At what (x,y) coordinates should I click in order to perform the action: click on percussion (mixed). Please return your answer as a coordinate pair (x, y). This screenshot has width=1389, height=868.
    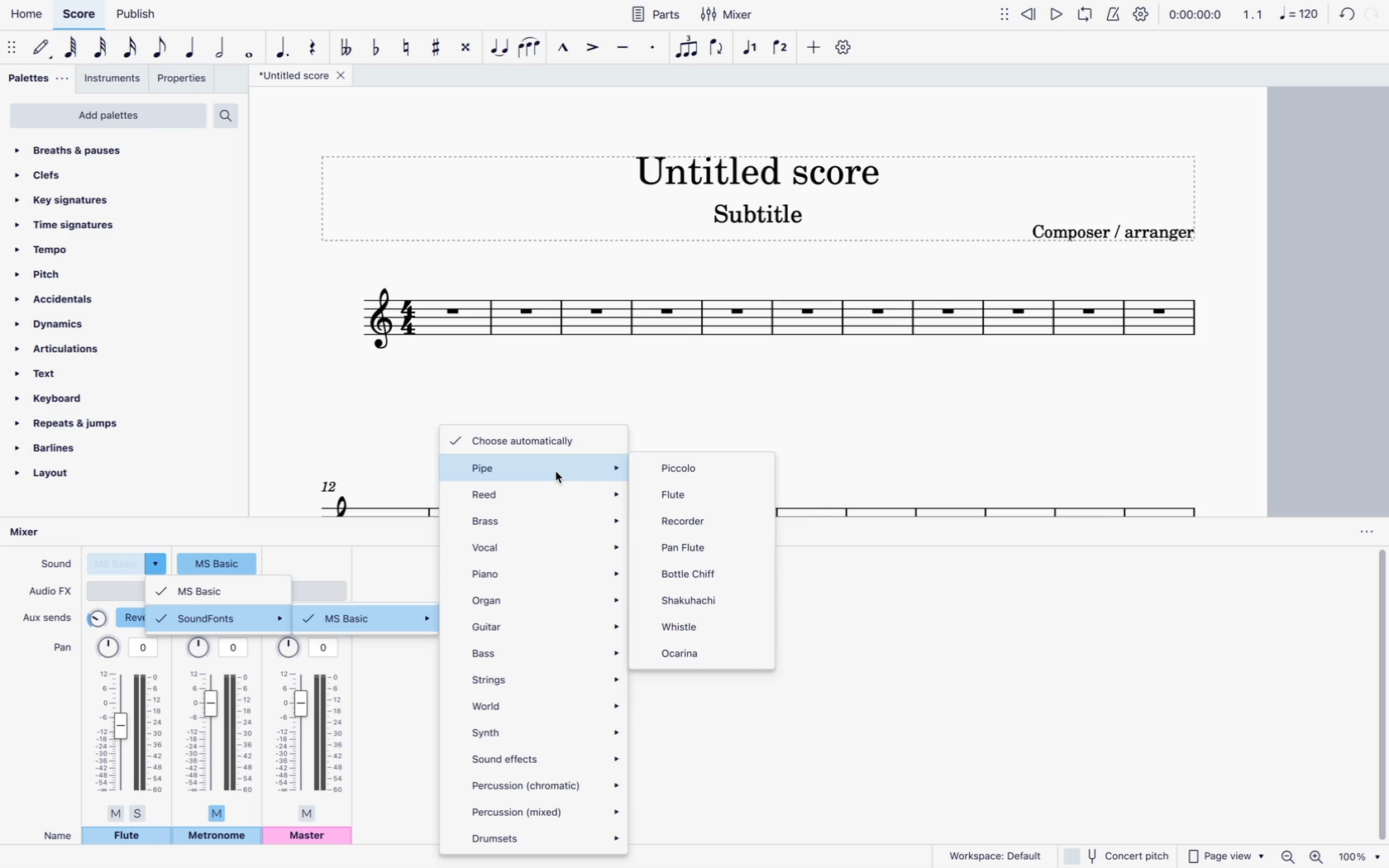
    Looking at the image, I should click on (546, 811).